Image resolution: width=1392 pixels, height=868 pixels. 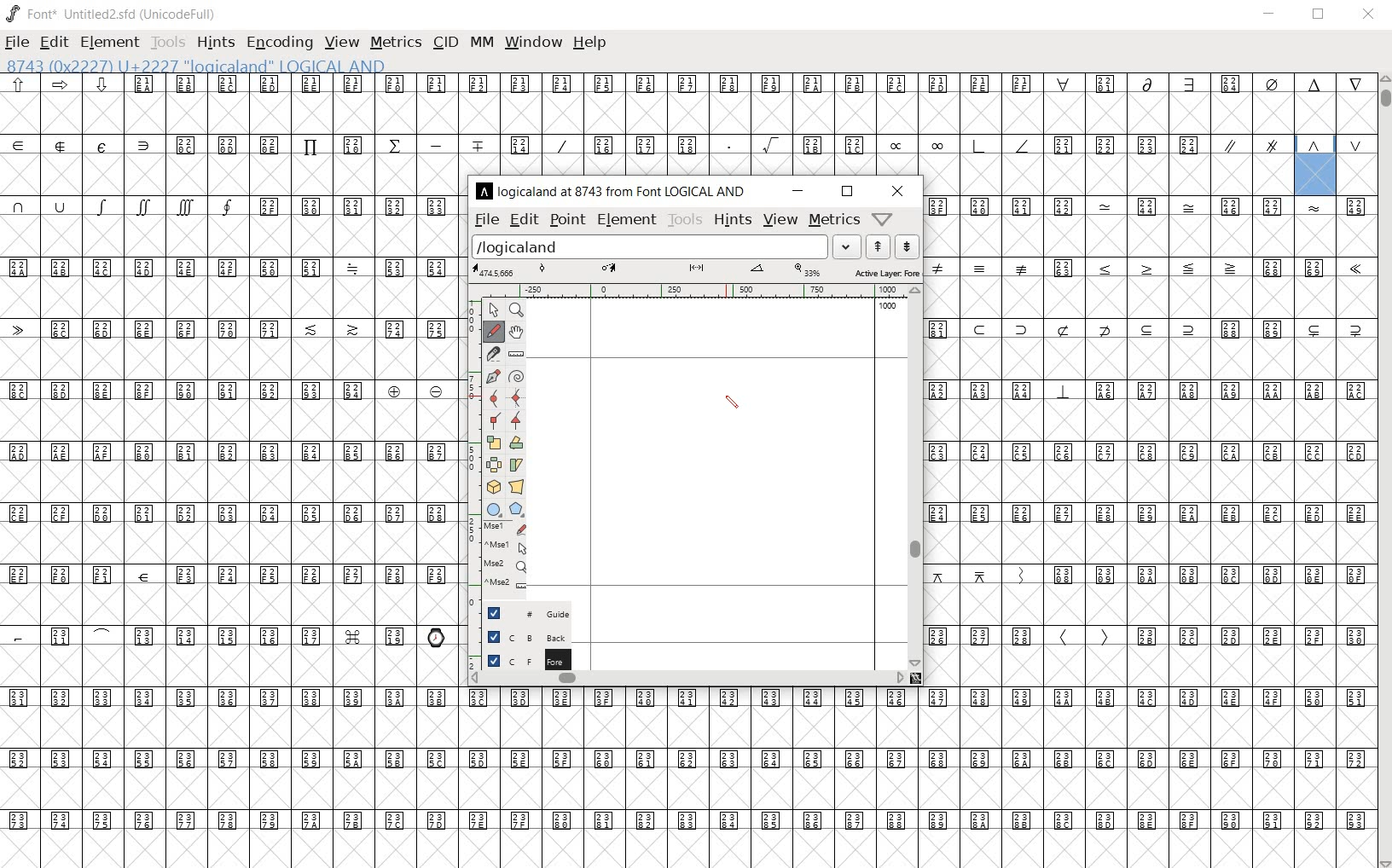 What do you see at coordinates (492, 333) in the screenshot?
I see `draw a freehand curve` at bounding box center [492, 333].